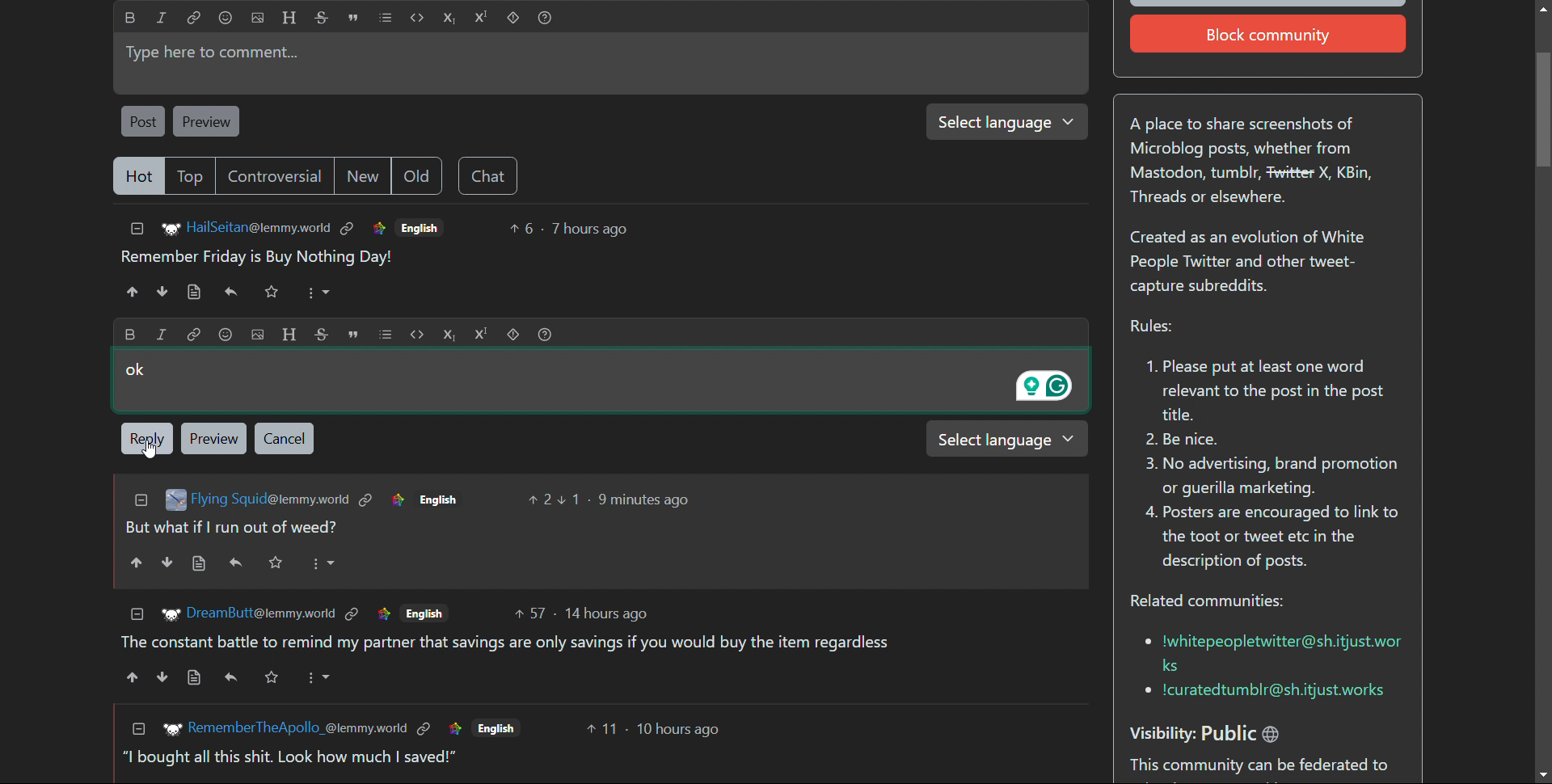  What do you see at coordinates (162, 17) in the screenshot?
I see `italic` at bounding box center [162, 17].